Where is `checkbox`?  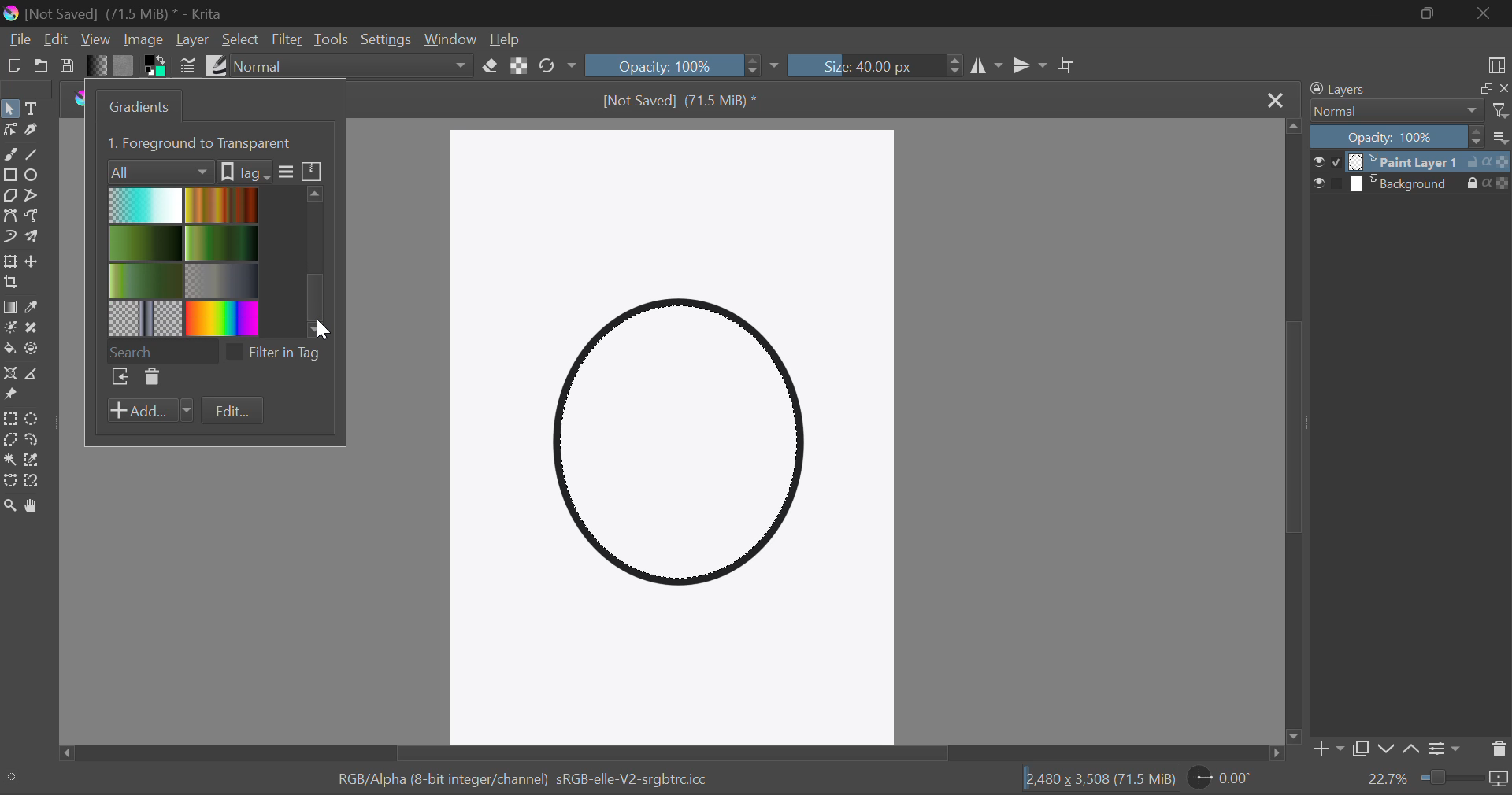
checkbox is located at coordinates (234, 353).